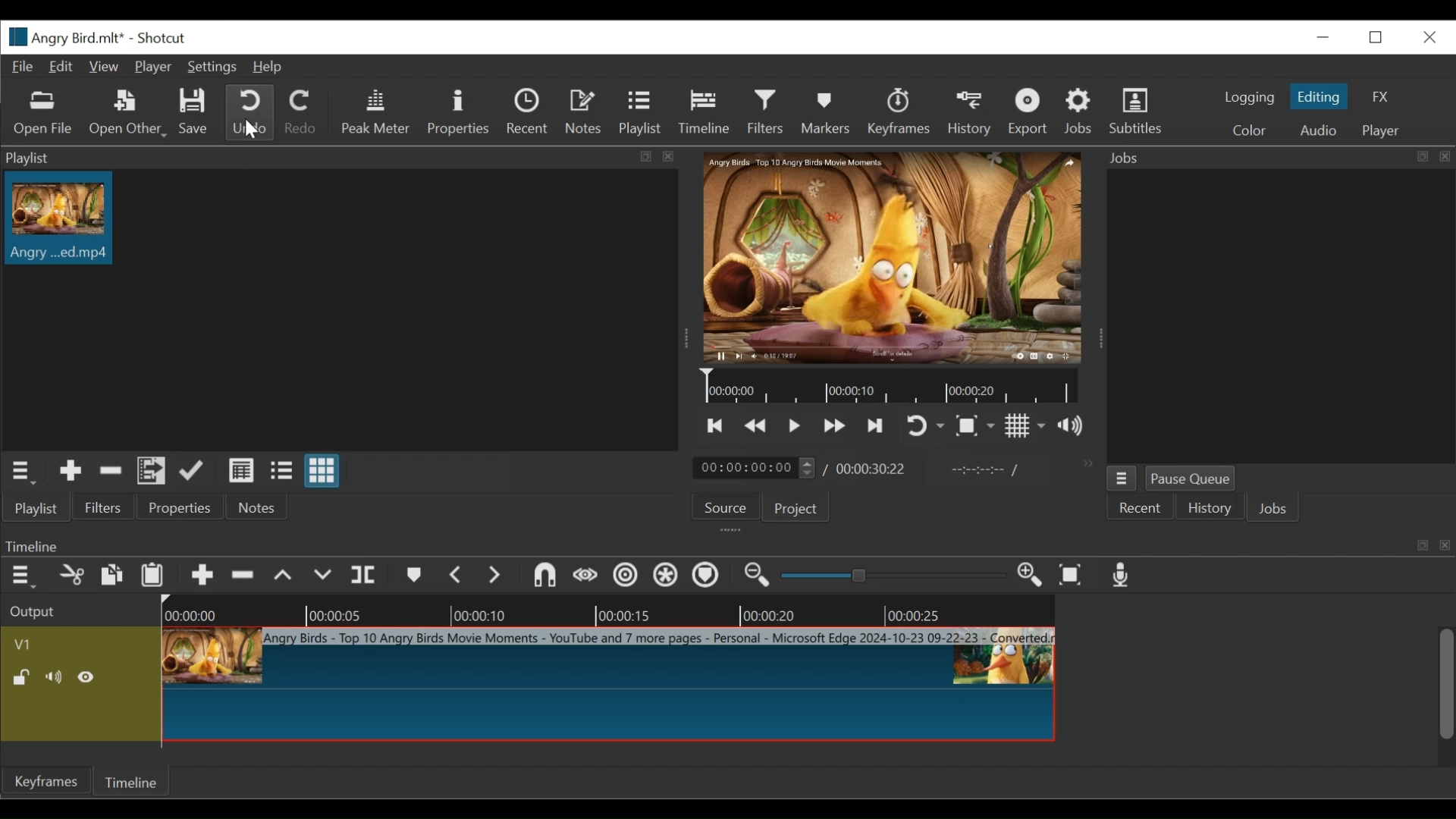 This screenshot has height=819, width=1456. What do you see at coordinates (377, 111) in the screenshot?
I see `Peak Meter` at bounding box center [377, 111].